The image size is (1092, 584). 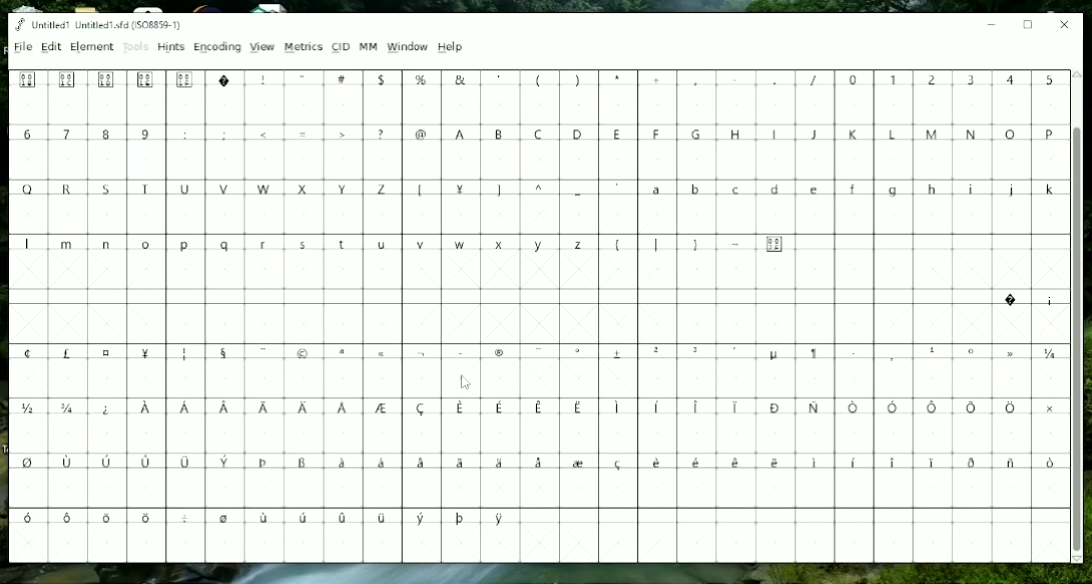 I want to click on Capital Letters, so click(x=248, y=190).